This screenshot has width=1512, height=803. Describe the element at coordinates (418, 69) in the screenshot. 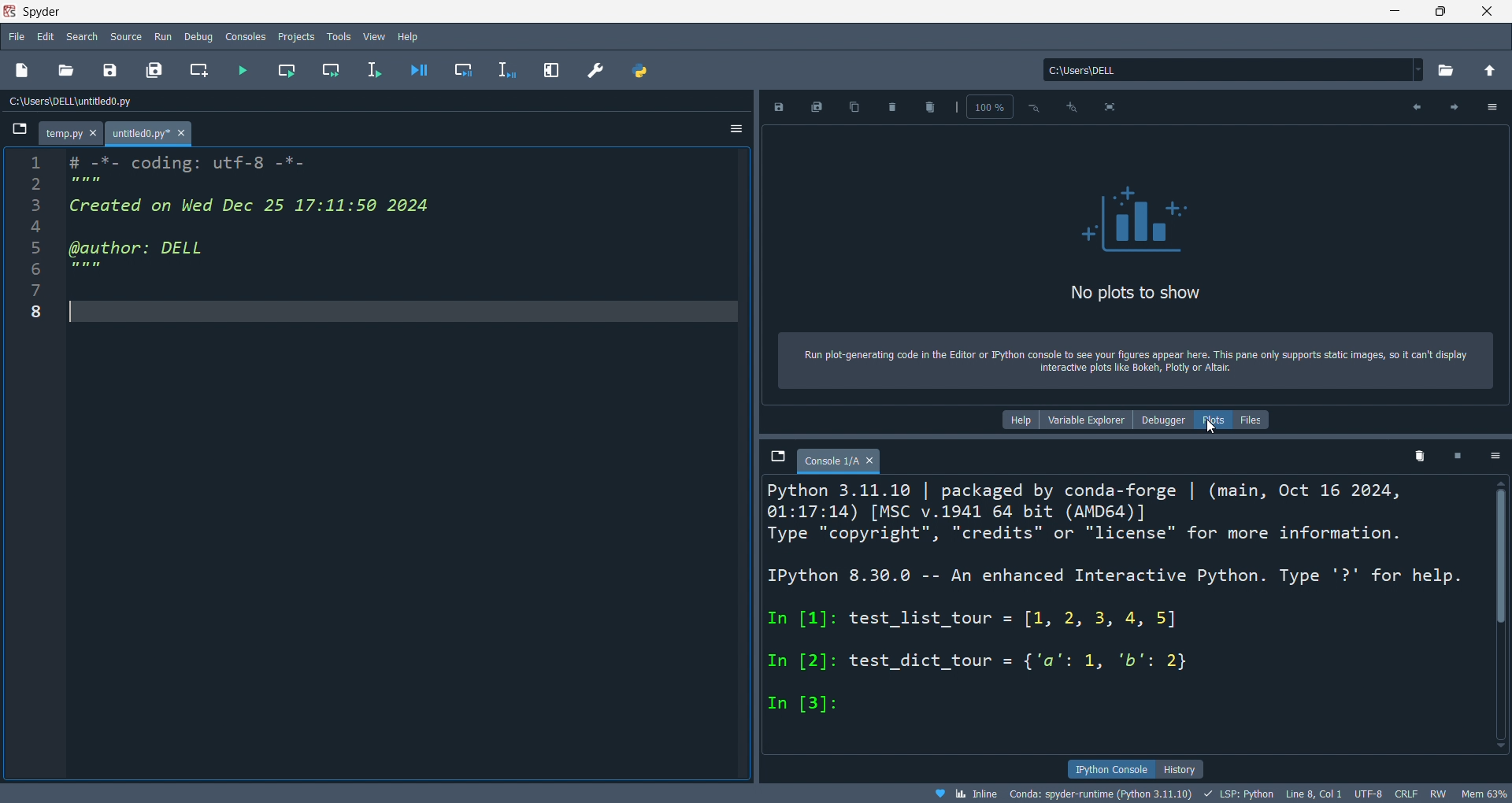

I see `debug file` at that location.